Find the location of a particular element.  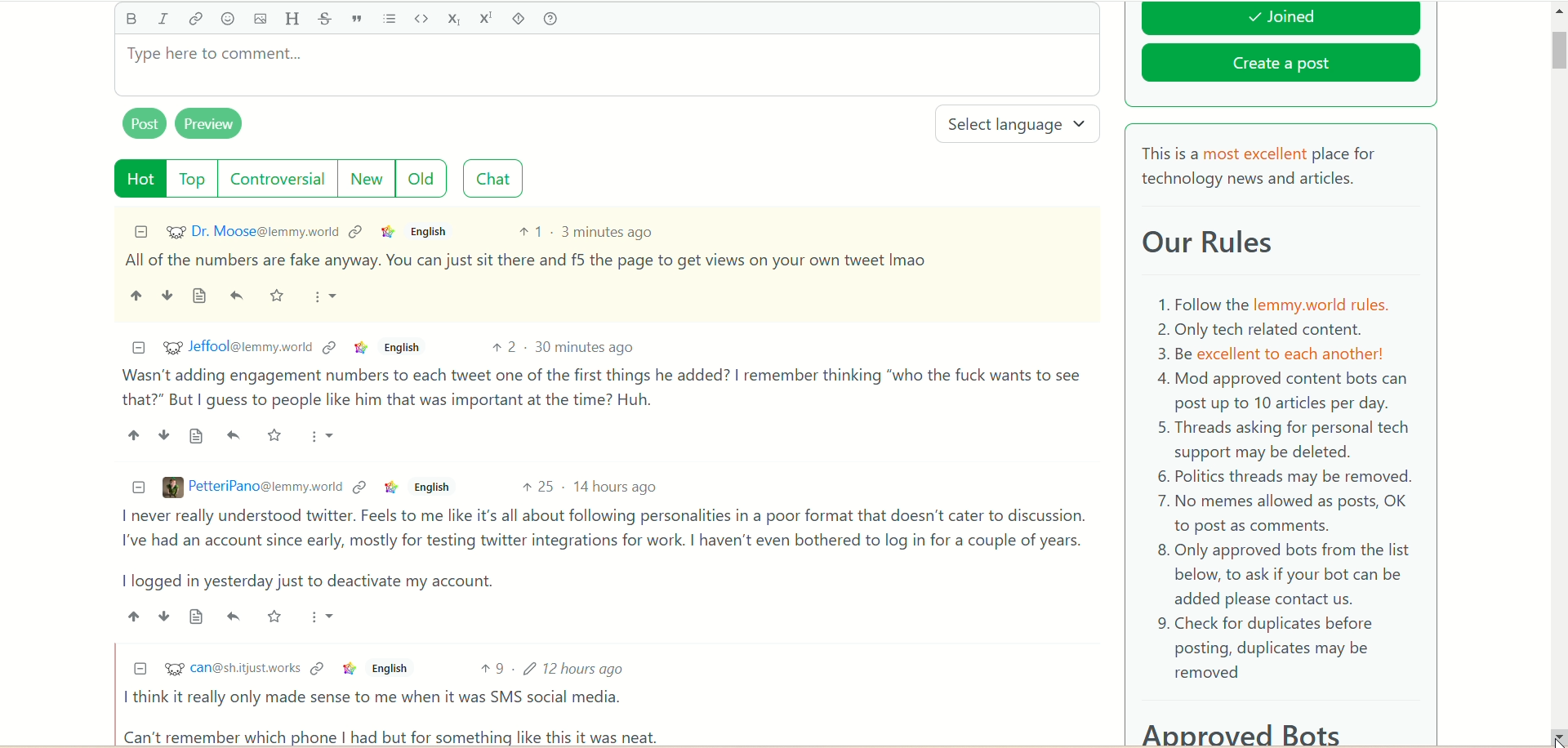

joined is located at coordinates (1281, 19).